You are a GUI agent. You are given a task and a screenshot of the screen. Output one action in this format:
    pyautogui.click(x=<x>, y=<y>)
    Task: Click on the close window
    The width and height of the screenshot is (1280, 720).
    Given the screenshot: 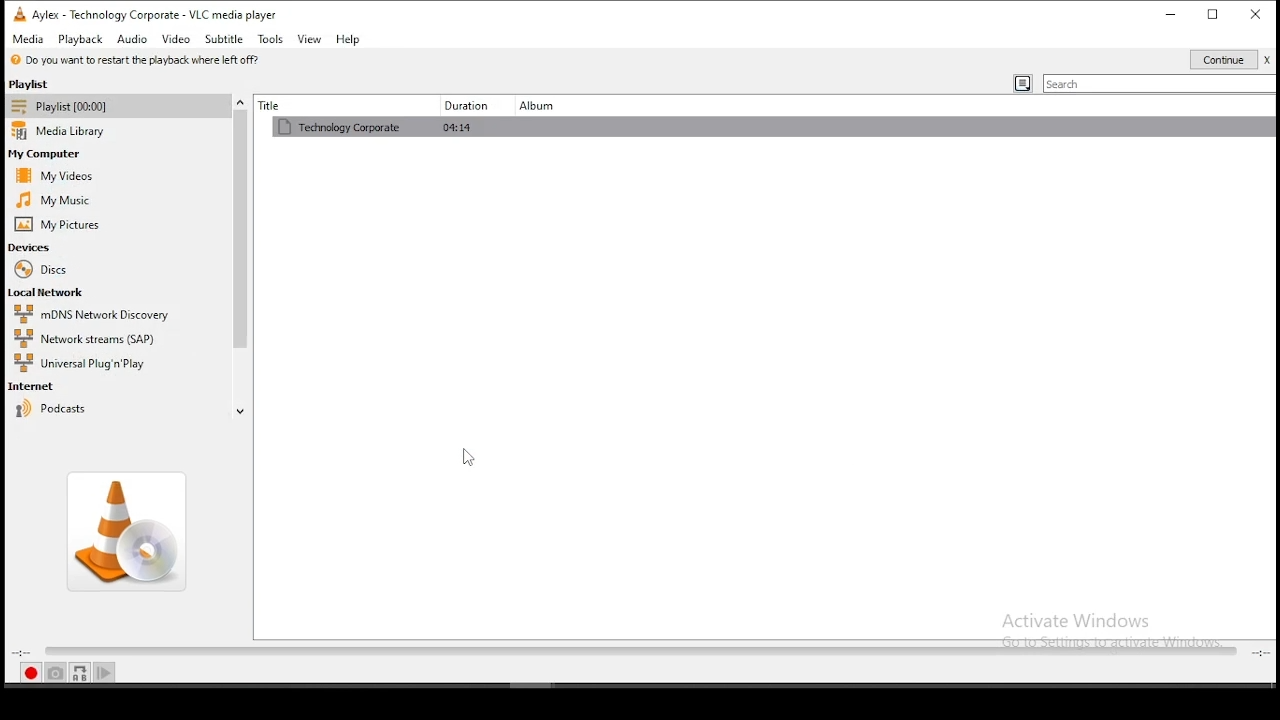 What is the action you would take?
    pyautogui.click(x=1257, y=13)
    